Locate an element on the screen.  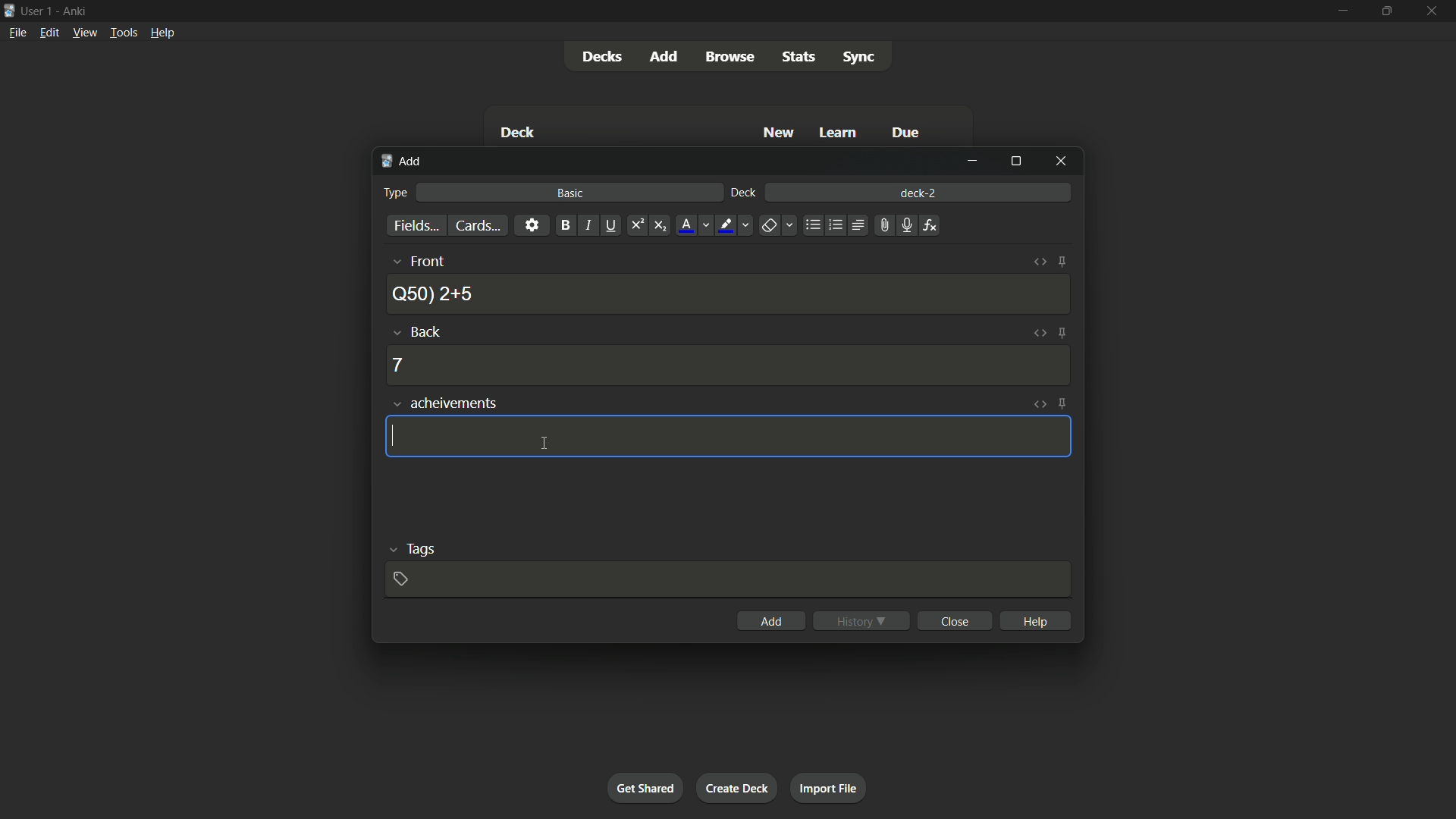
Learn is located at coordinates (839, 133).